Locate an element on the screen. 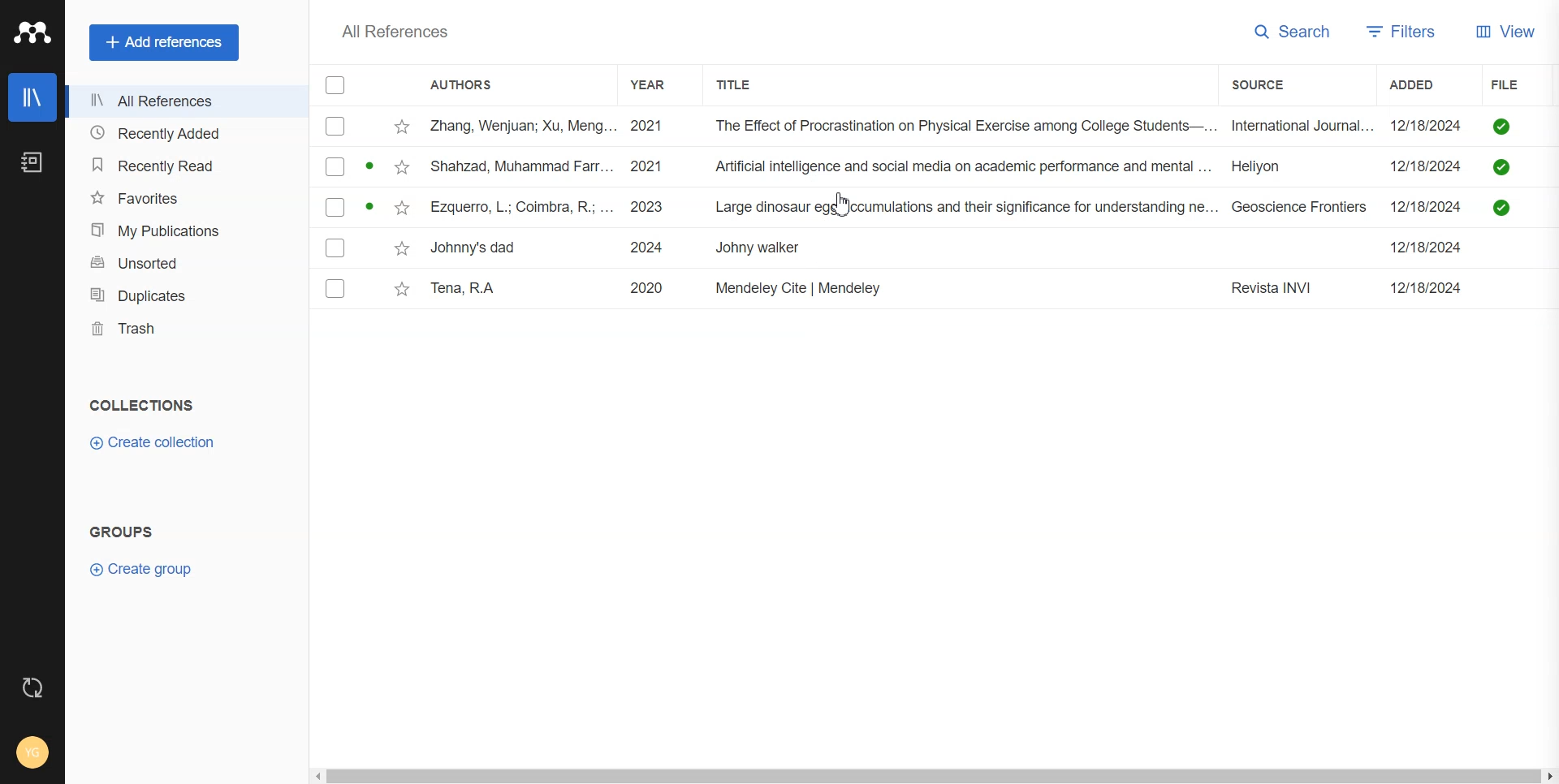 The height and width of the screenshot is (784, 1559). Approved  is located at coordinates (1500, 126).